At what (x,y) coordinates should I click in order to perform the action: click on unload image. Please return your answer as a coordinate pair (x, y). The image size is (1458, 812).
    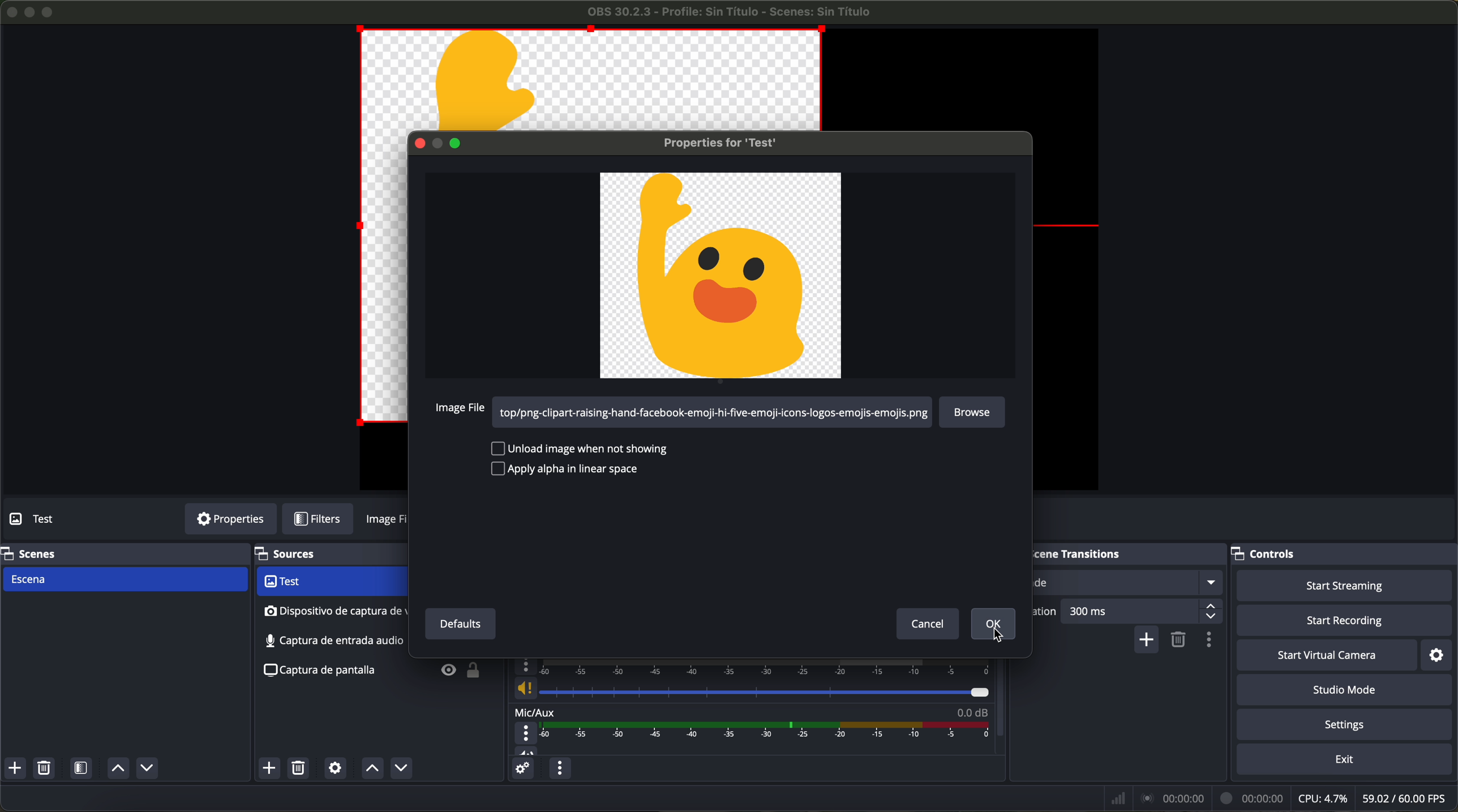
    Looking at the image, I should click on (578, 447).